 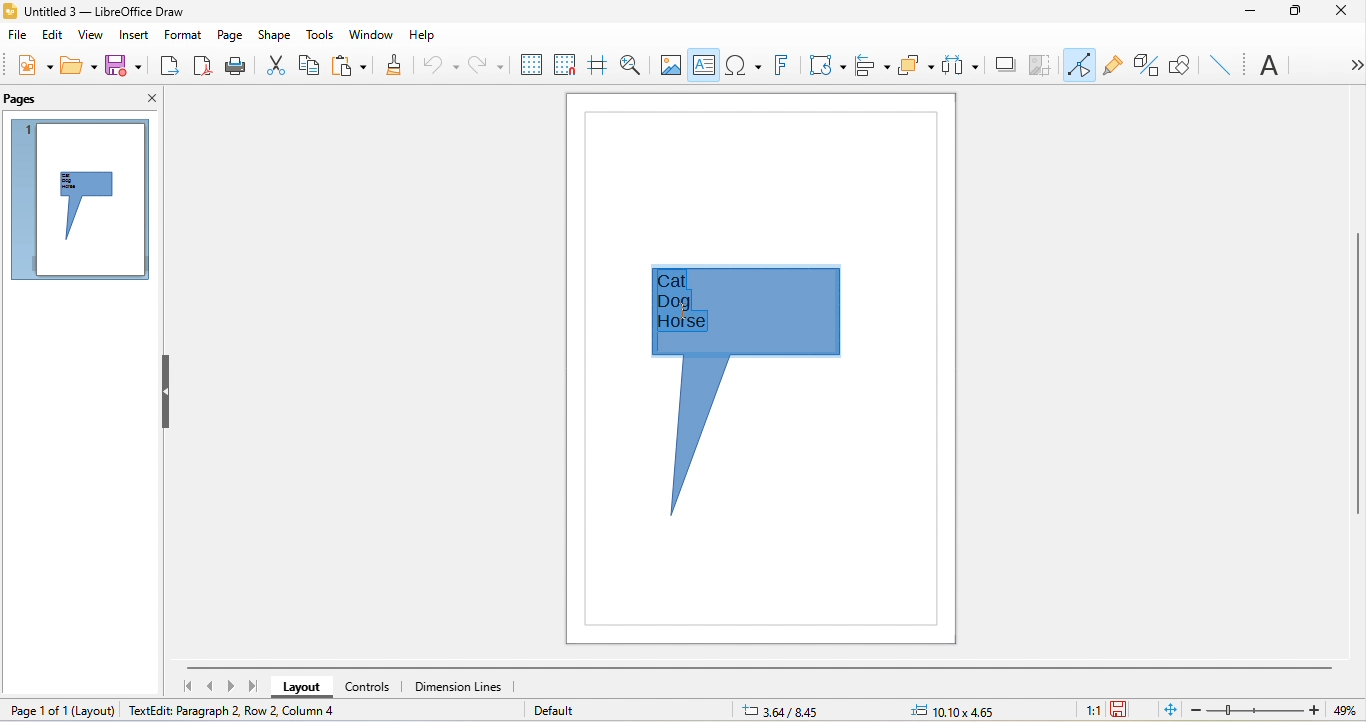 What do you see at coordinates (203, 68) in the screenshot?
I see `export directly as pdf` at bounding box center [203, 68].